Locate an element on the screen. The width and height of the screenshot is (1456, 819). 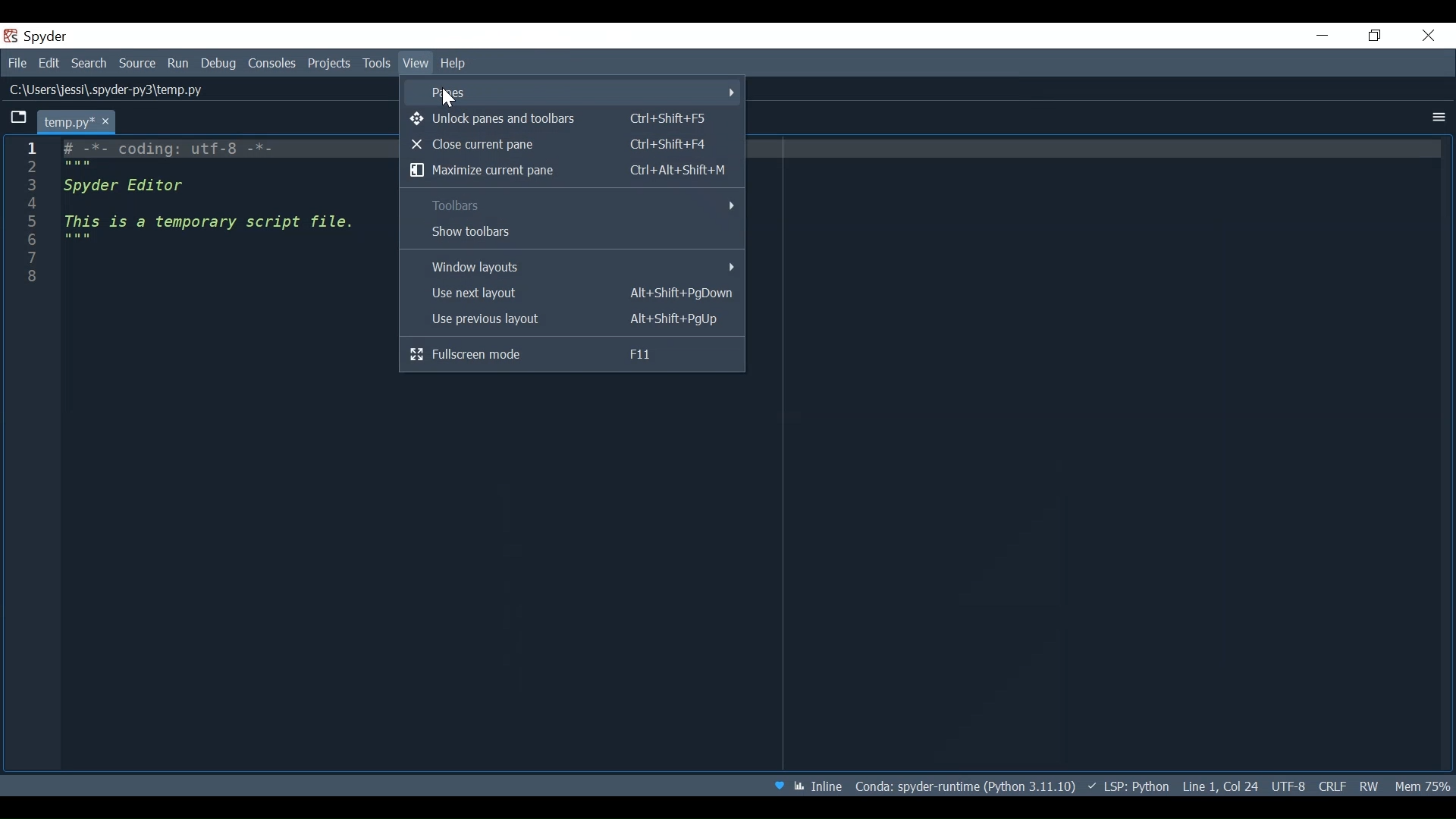
Toggle Inline and interactive Matplotlib plotting is located at coordinates (817, 786).